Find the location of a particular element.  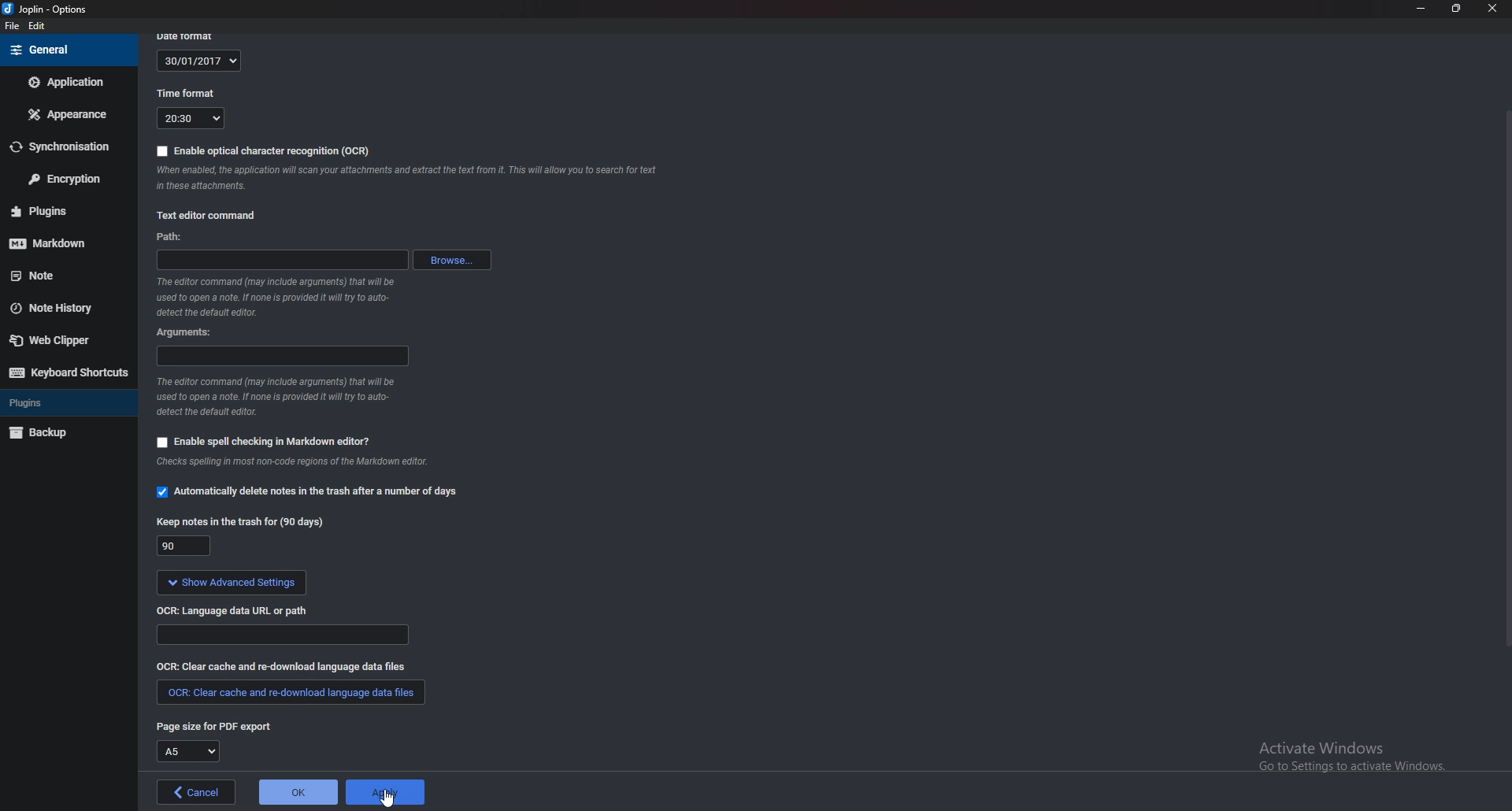

path is located at coordinates (282, 261).